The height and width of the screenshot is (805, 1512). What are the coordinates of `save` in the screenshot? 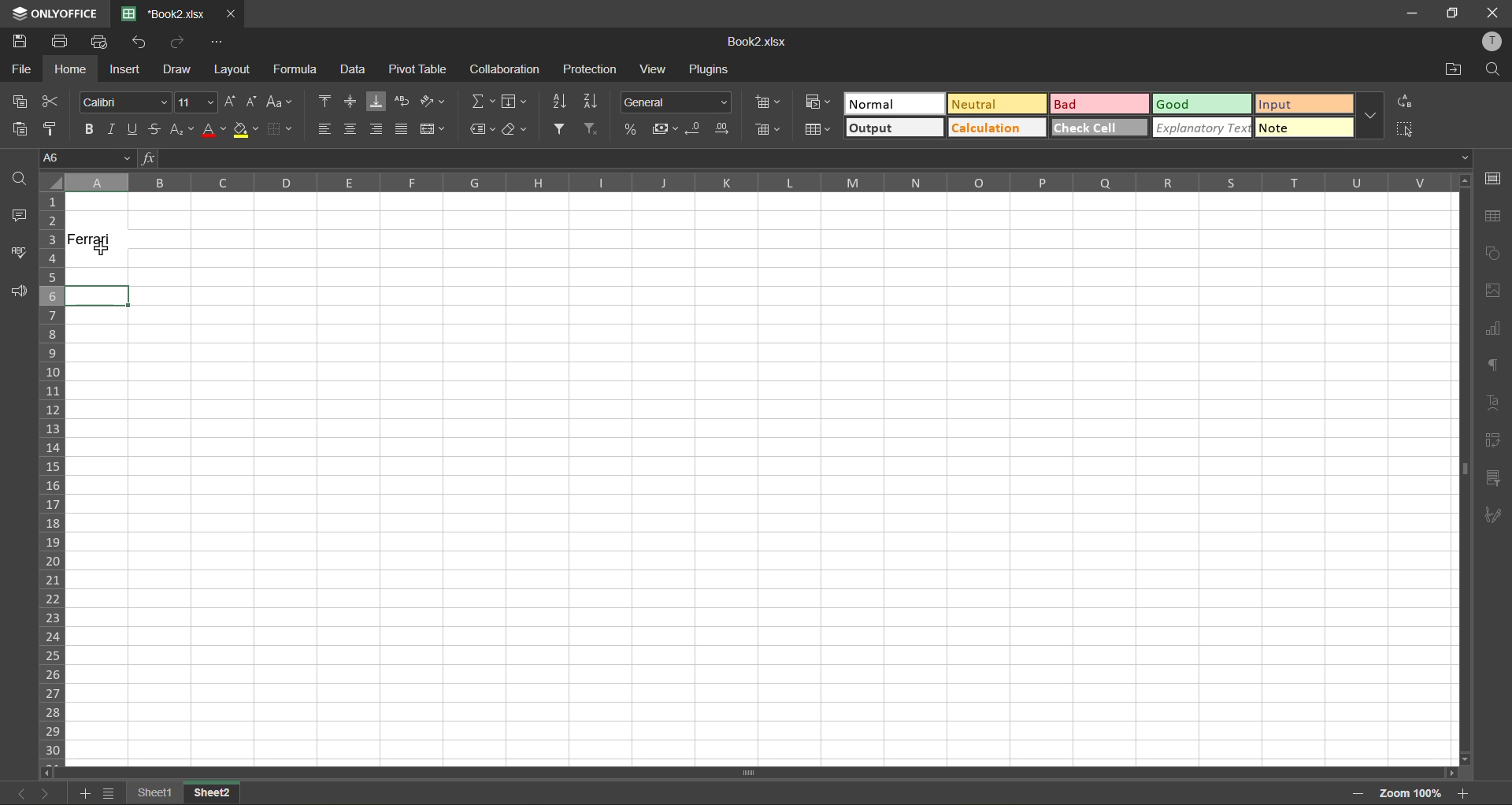 It's located at (16, 41).